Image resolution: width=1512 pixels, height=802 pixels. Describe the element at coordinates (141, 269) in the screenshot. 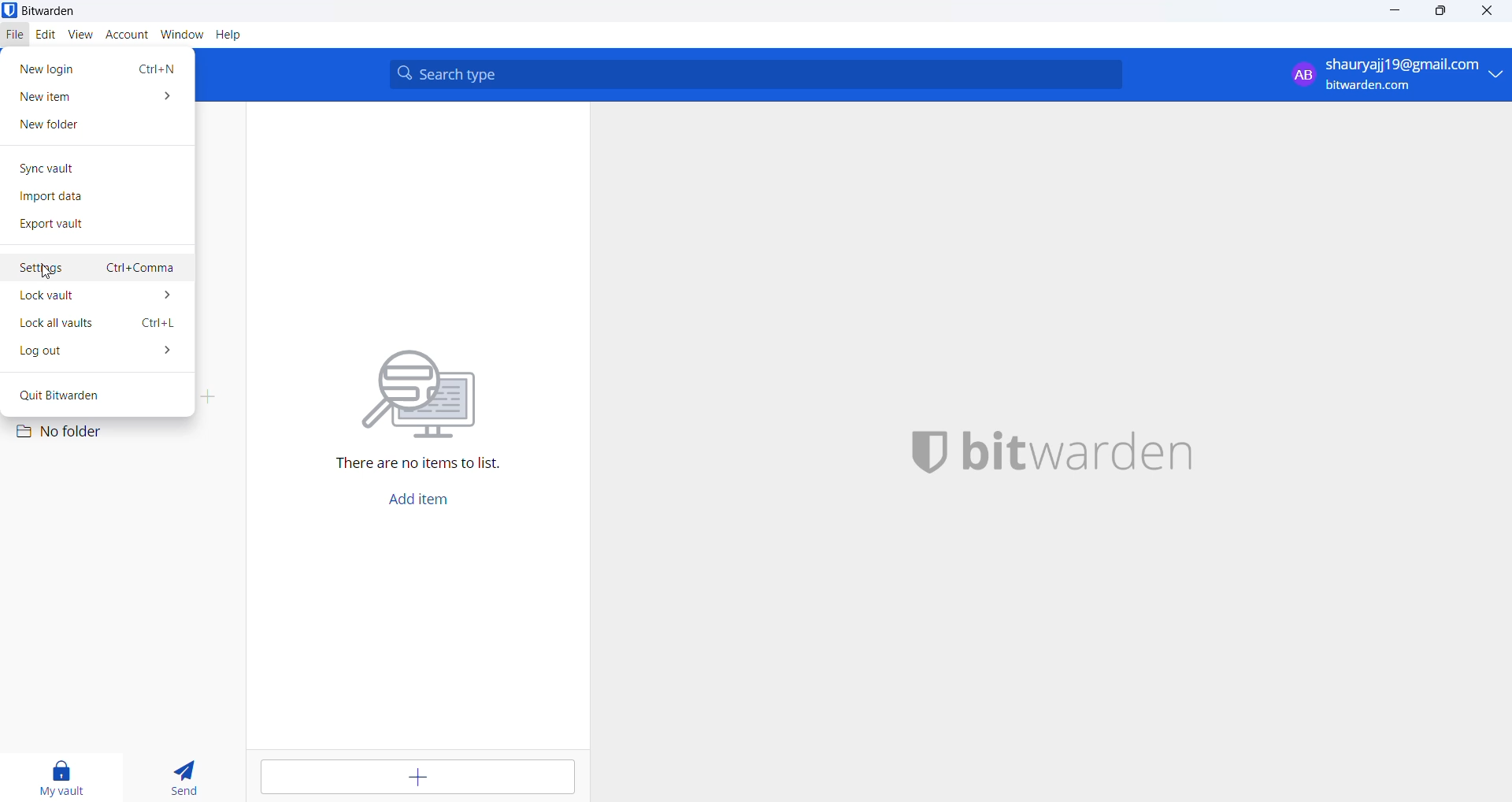

I see `Ctrl+Comma` at that location.